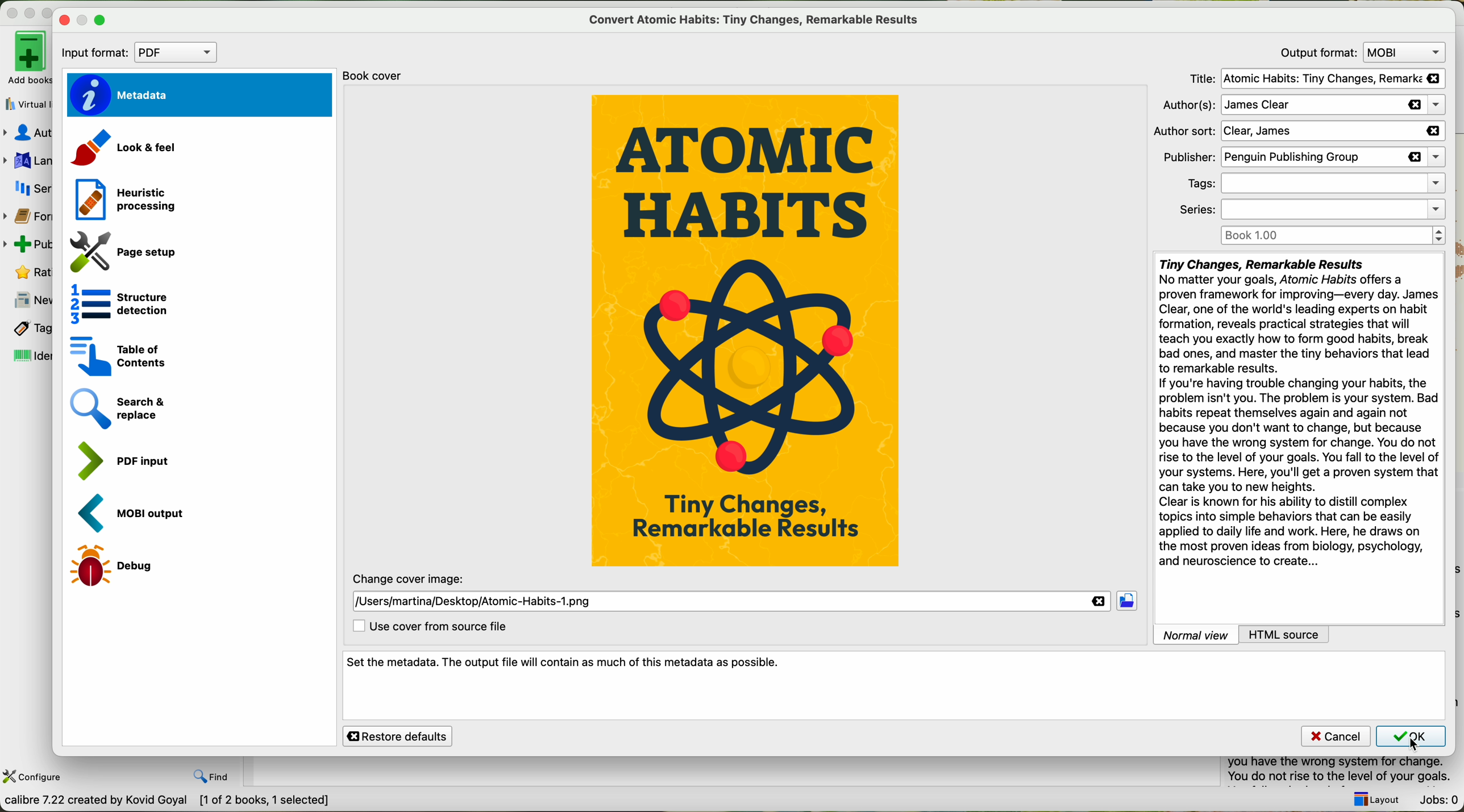  What do you see at coordinates (1345, 771) in the screenshot?
I see `summary` at bounding box center [1345, 771].